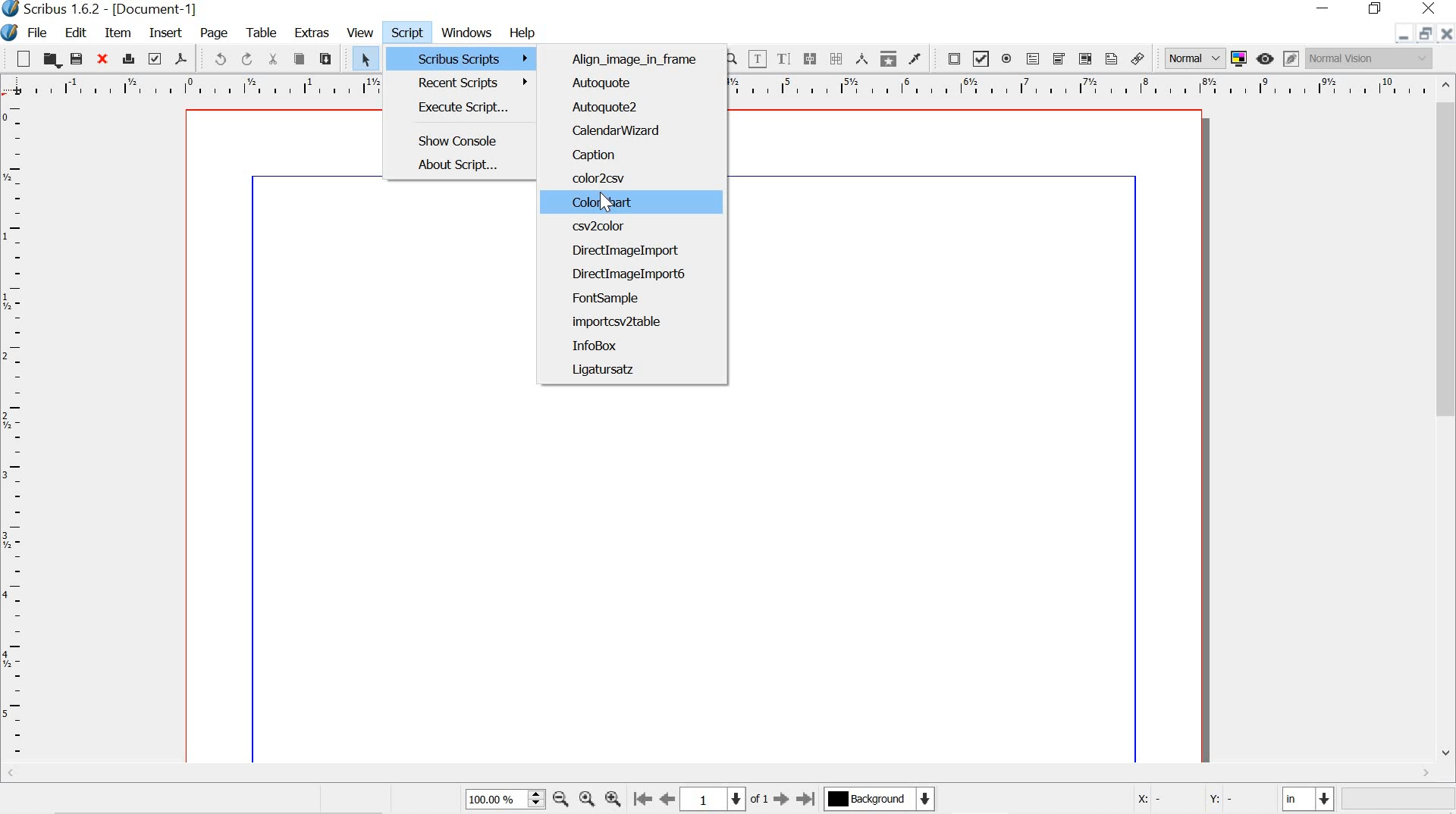 Image resolution: width=1456 pixels, height=814 pixels. I want to click on script, so click(408, 33).